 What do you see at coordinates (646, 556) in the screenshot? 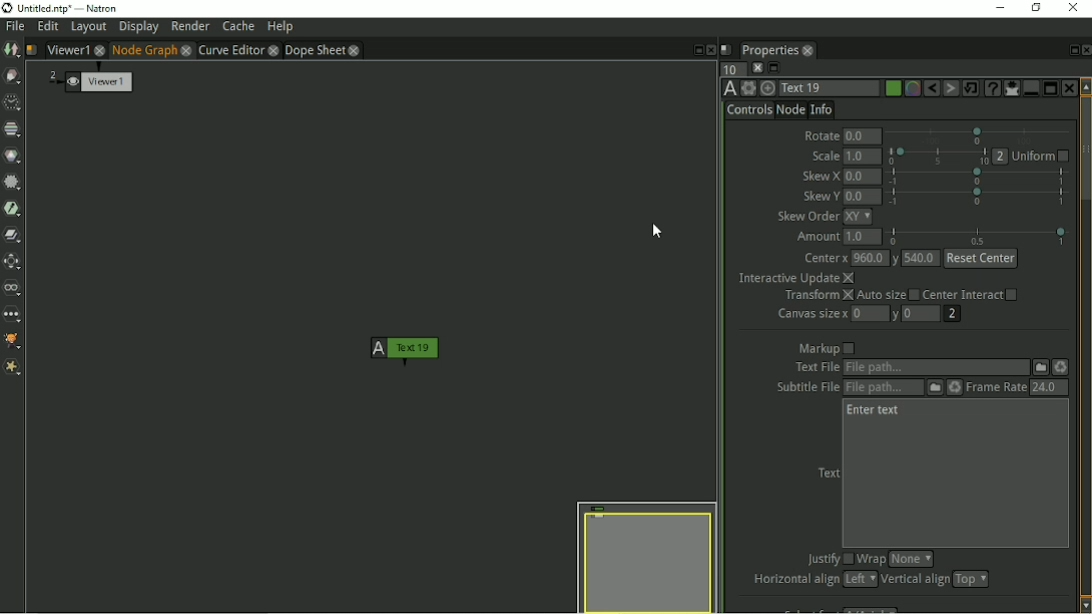
I see `Preview` at bounding box center [646, 556].